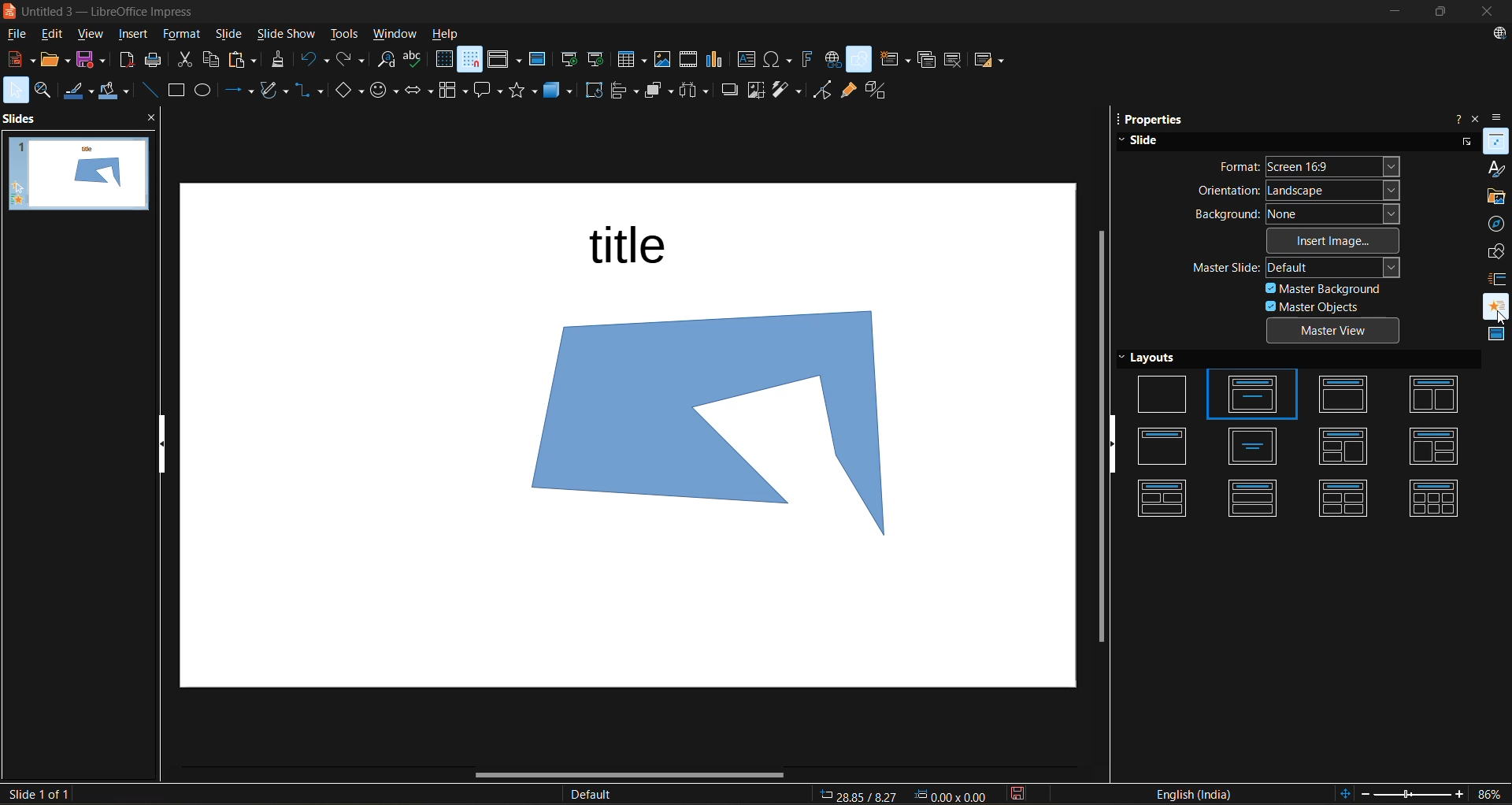 The height and width of the screenshot is (805, 1512). Describe the element at coordinates (52, 59) in the screenshot. I see `open` at that location.